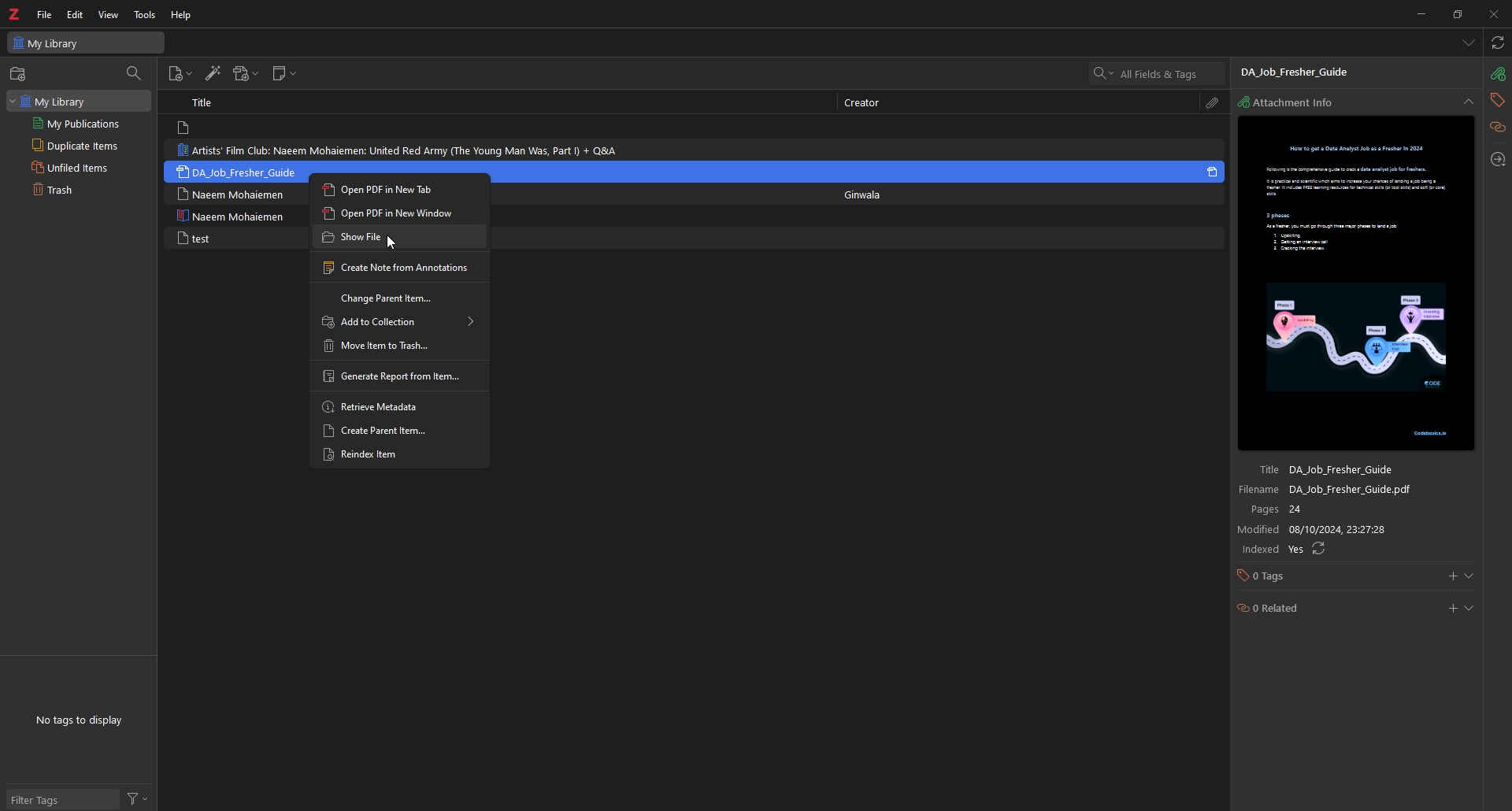  I want to click on pdf, so click(1212, 172).